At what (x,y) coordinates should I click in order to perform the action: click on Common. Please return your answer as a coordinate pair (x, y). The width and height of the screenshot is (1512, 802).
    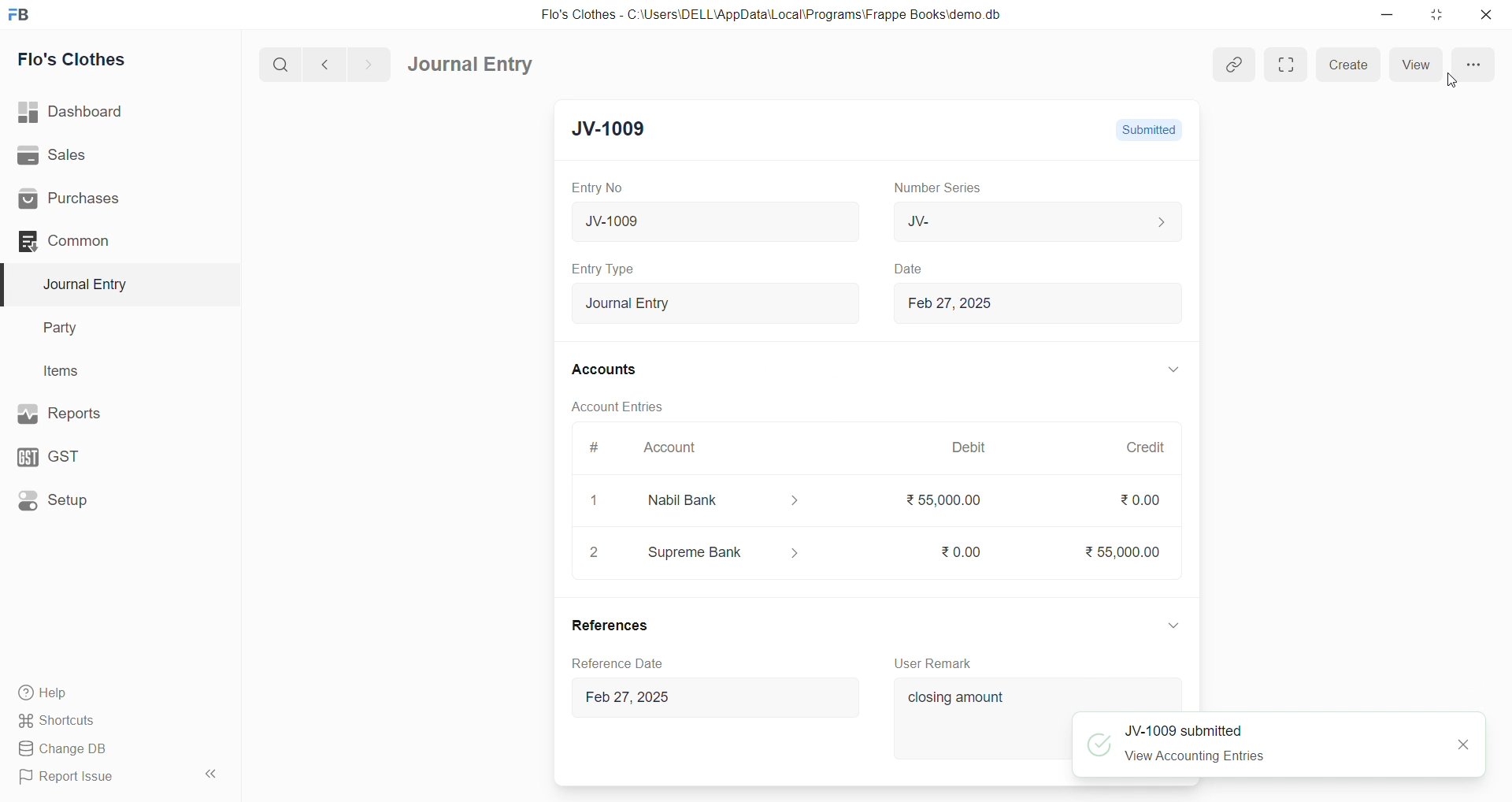
    Looking at the image, I should click on (94, 242).